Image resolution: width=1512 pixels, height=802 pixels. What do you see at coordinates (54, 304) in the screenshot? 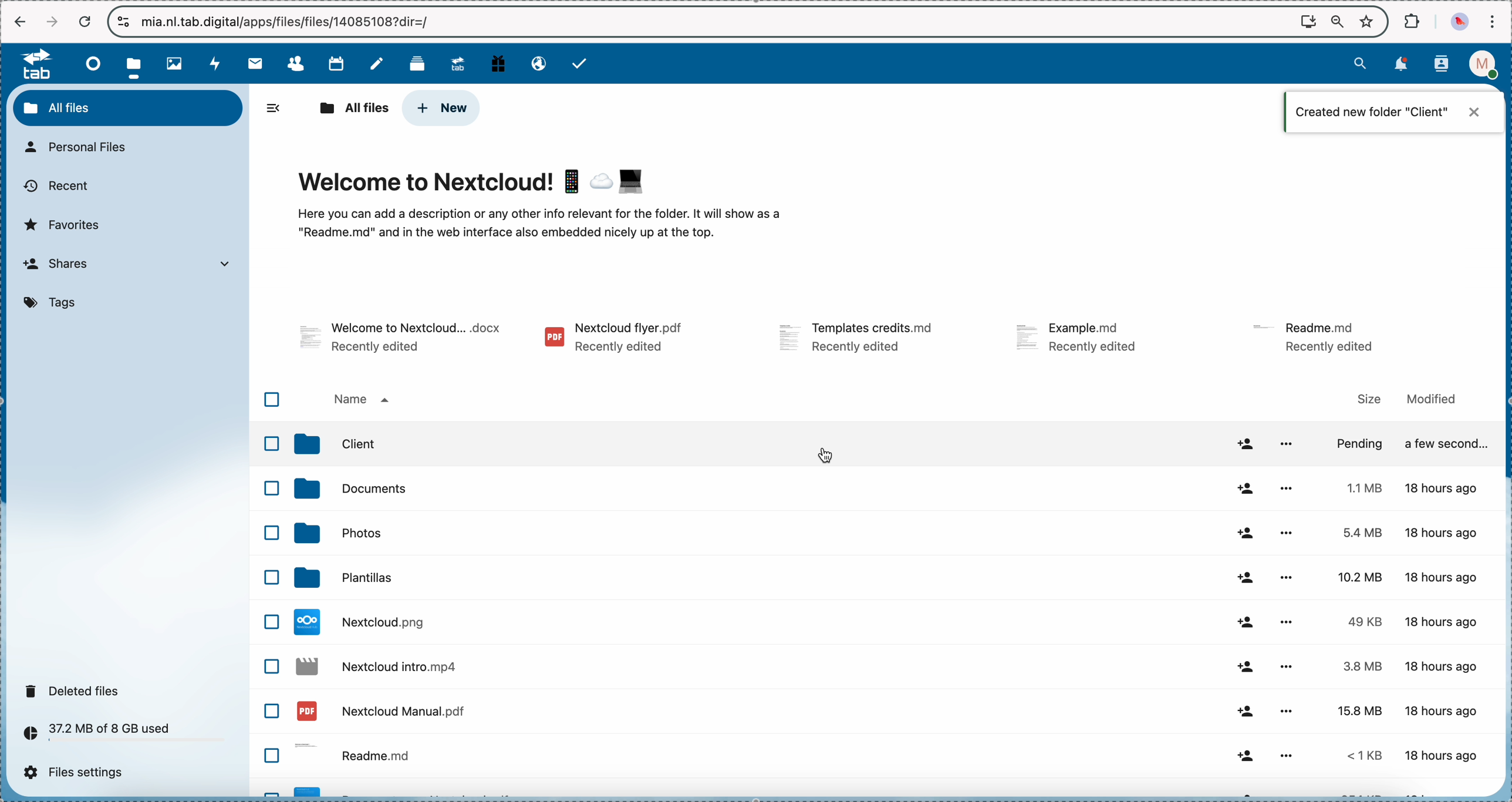
I see `tags` at bounding box center [54, 304].